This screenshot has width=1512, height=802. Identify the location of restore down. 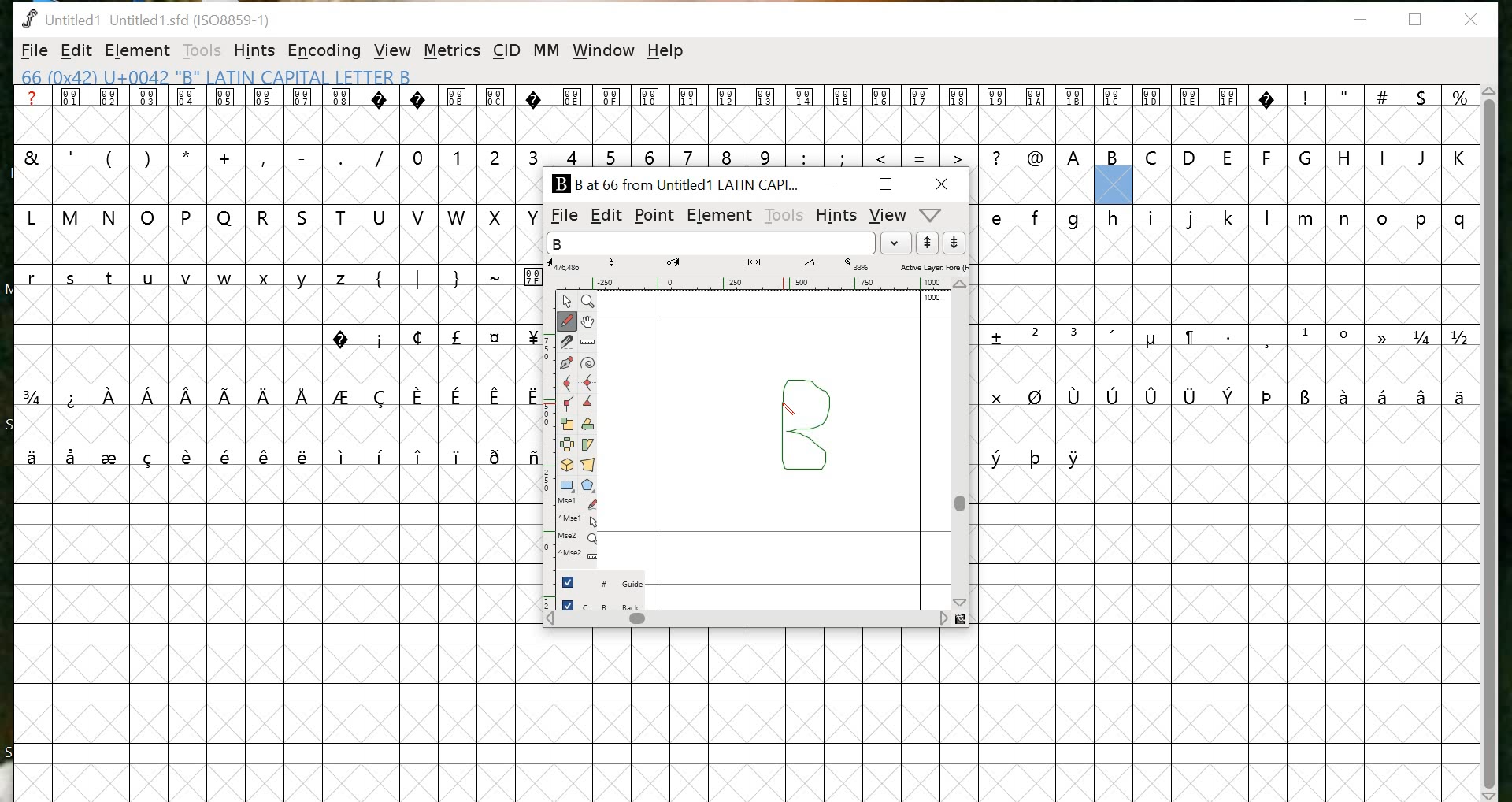
(1416, 20).